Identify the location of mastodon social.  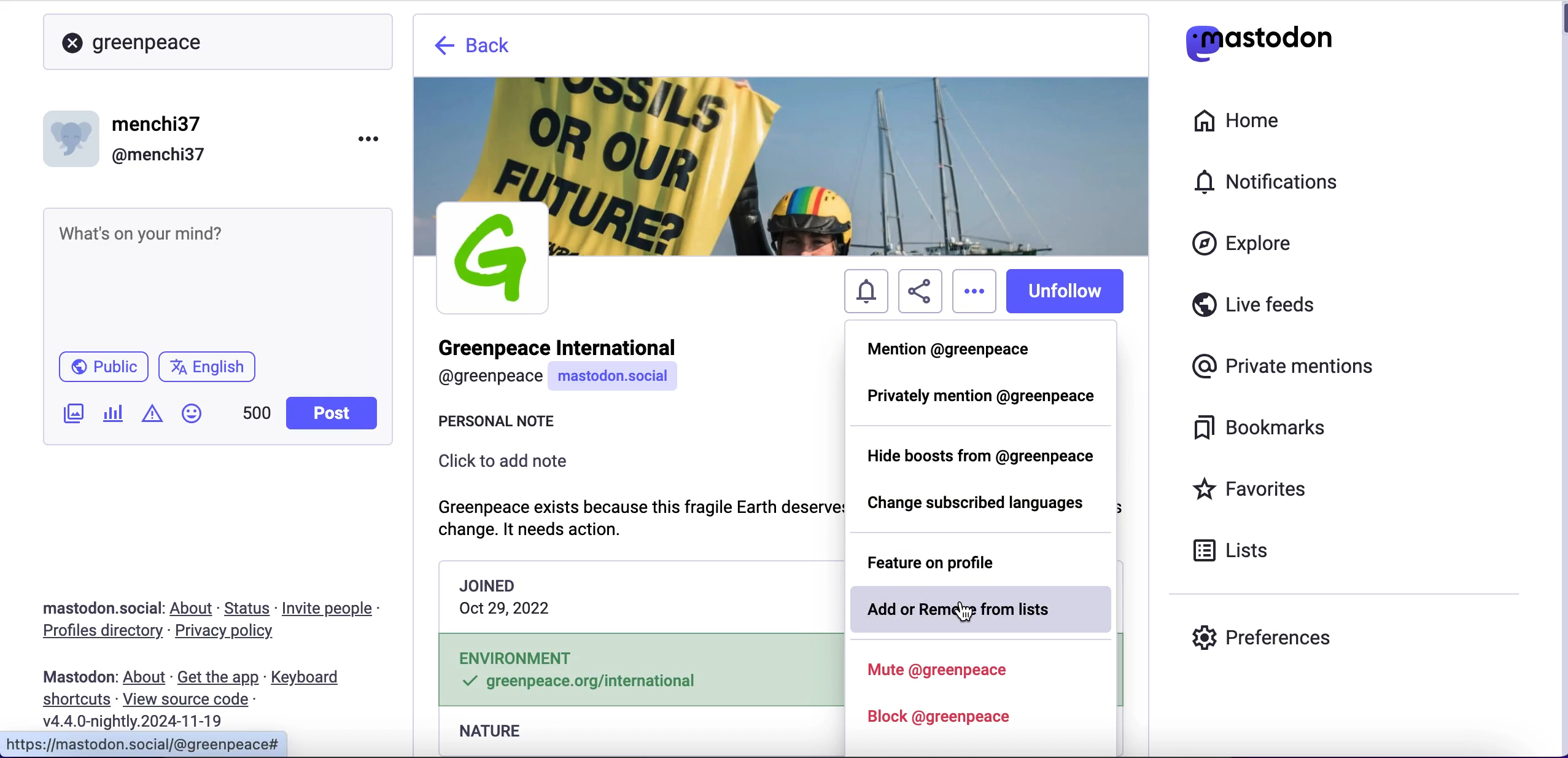
(86, 609).